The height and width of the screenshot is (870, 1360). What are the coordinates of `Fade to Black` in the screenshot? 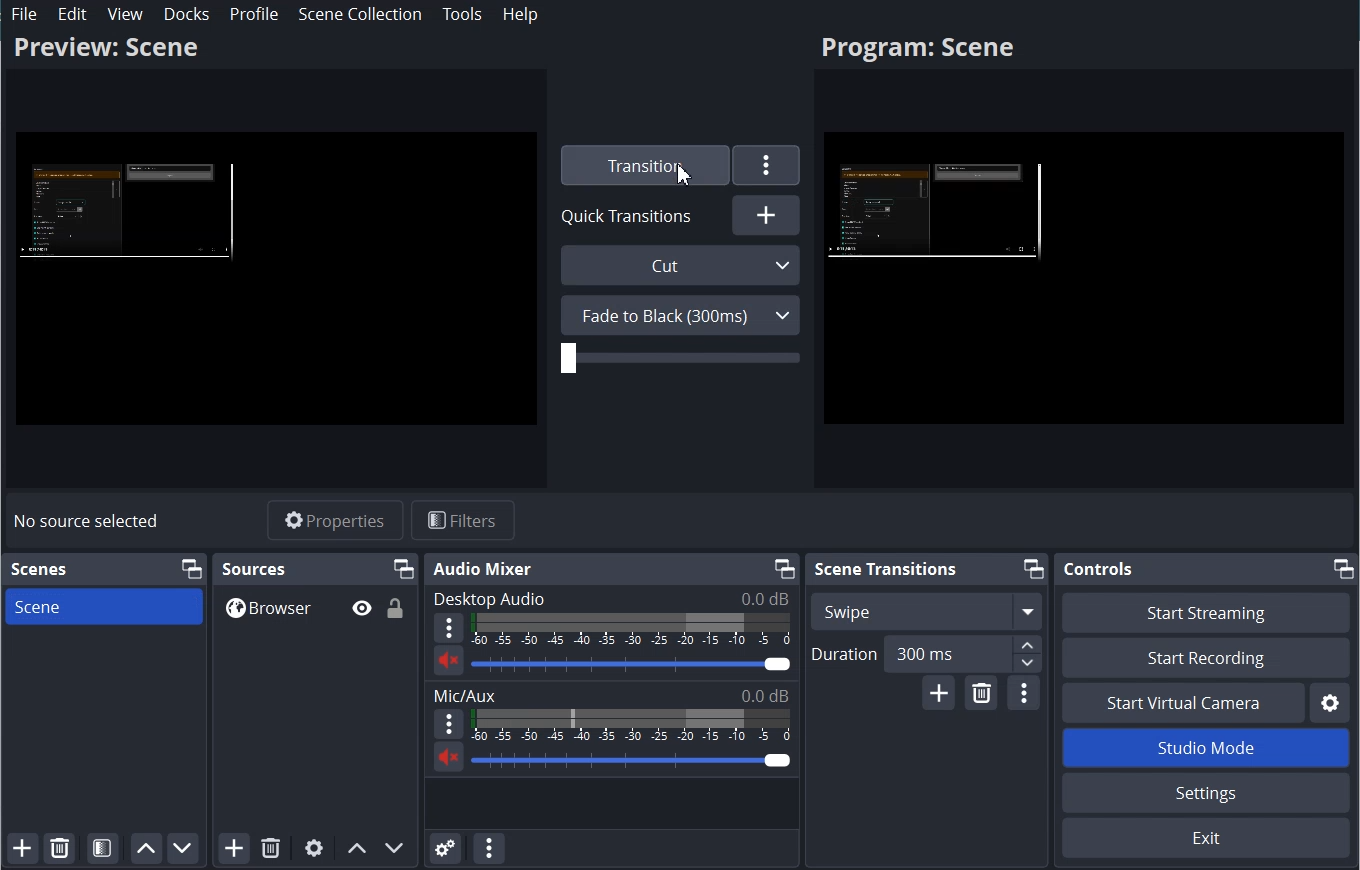 It's located at (680, 315).